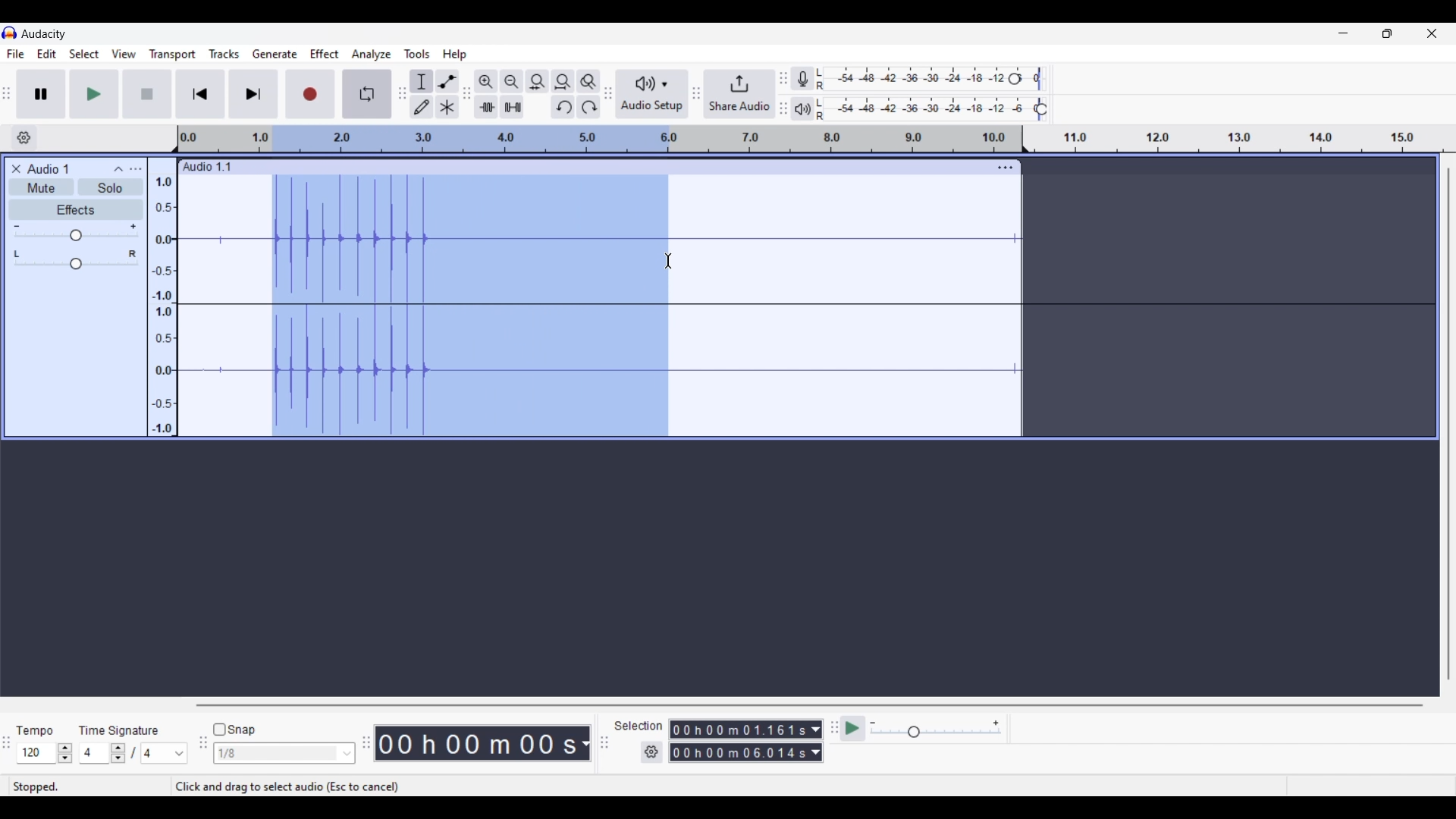  Describe the element at coordinates (76, 265) in the screenshot. I see `Pan` at that location.